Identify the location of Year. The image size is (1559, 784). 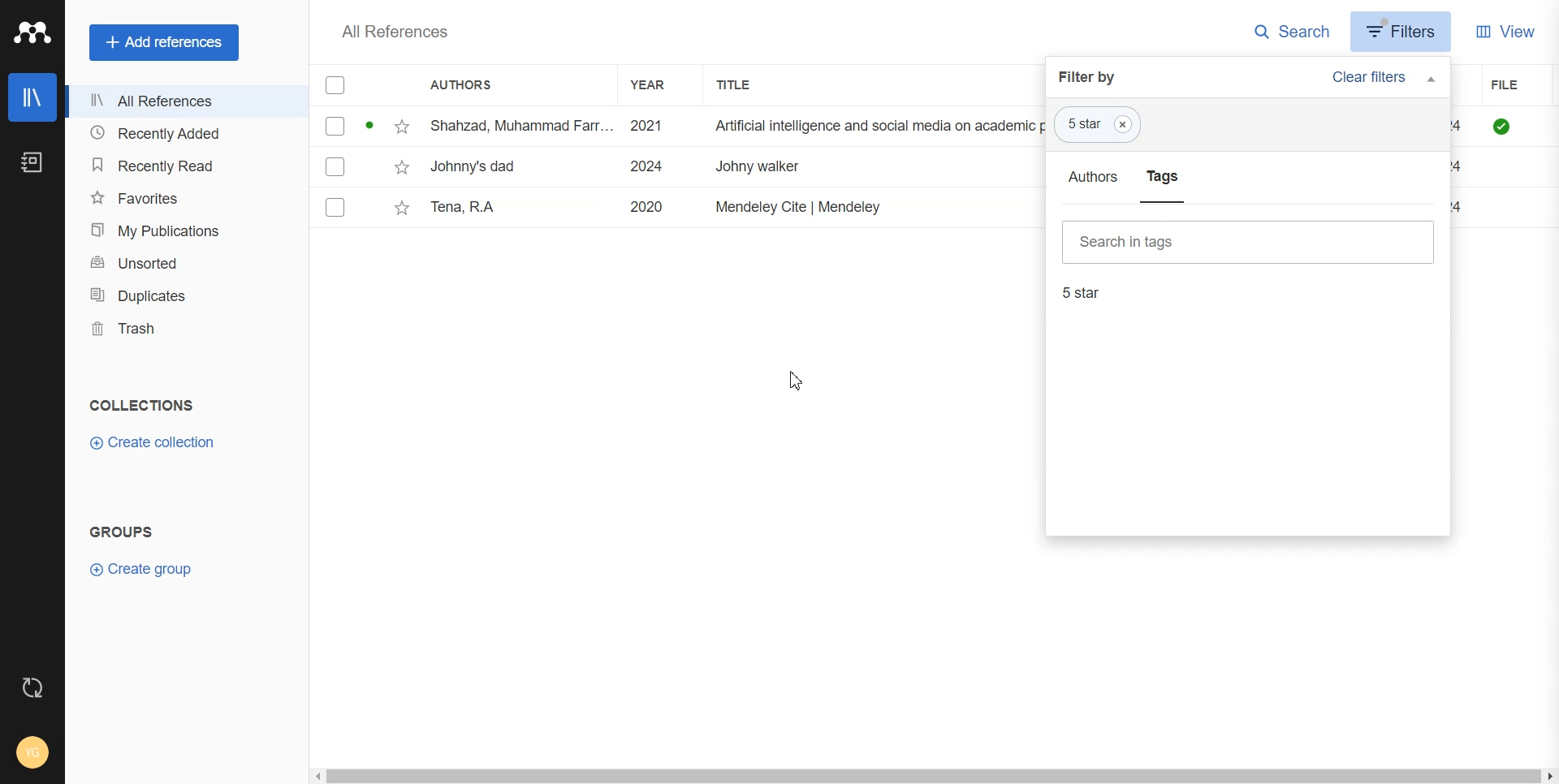
(661, 85).